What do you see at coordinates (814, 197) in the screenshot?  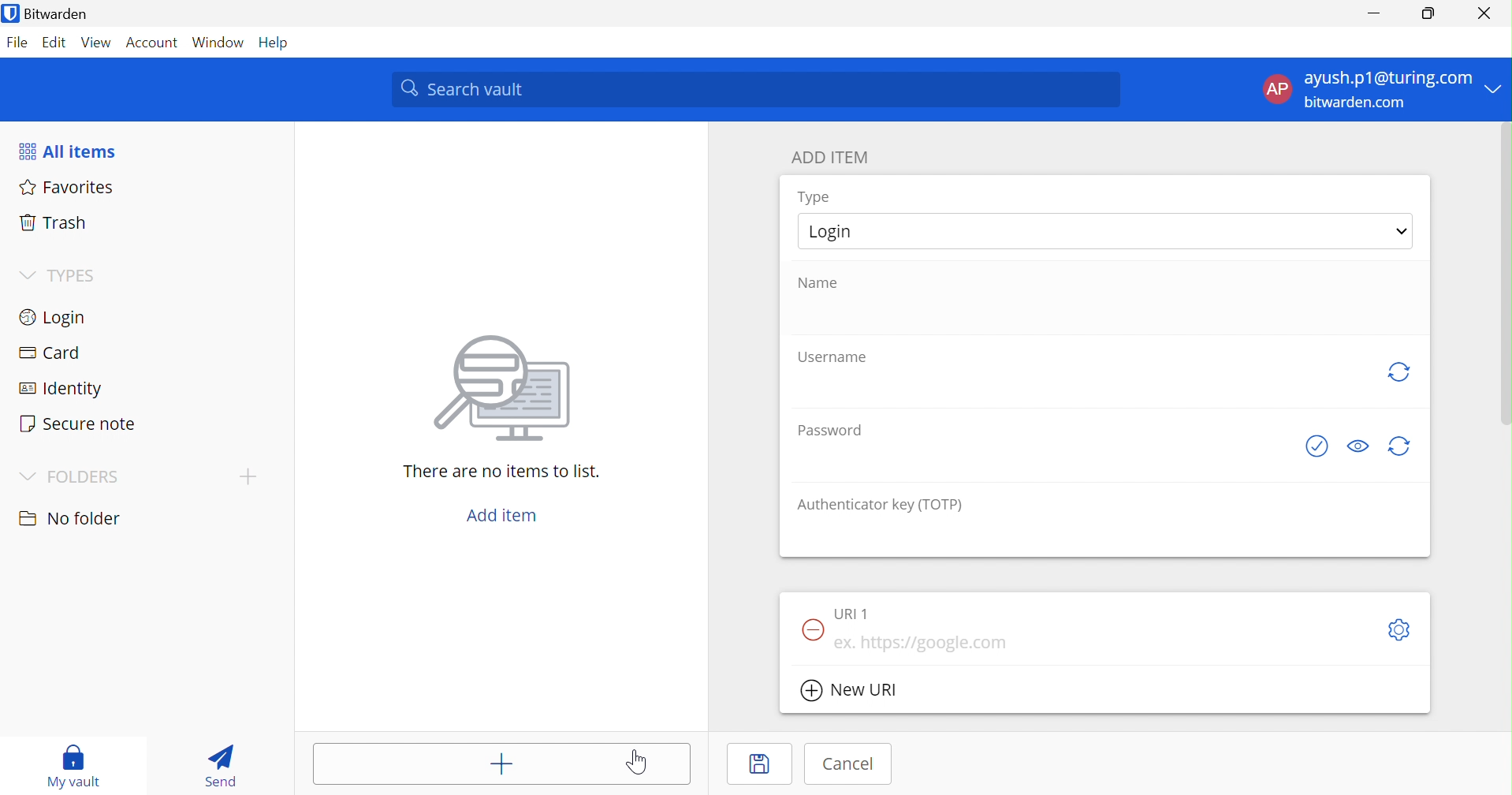 I see `Type` at bounding box center [814, 197].